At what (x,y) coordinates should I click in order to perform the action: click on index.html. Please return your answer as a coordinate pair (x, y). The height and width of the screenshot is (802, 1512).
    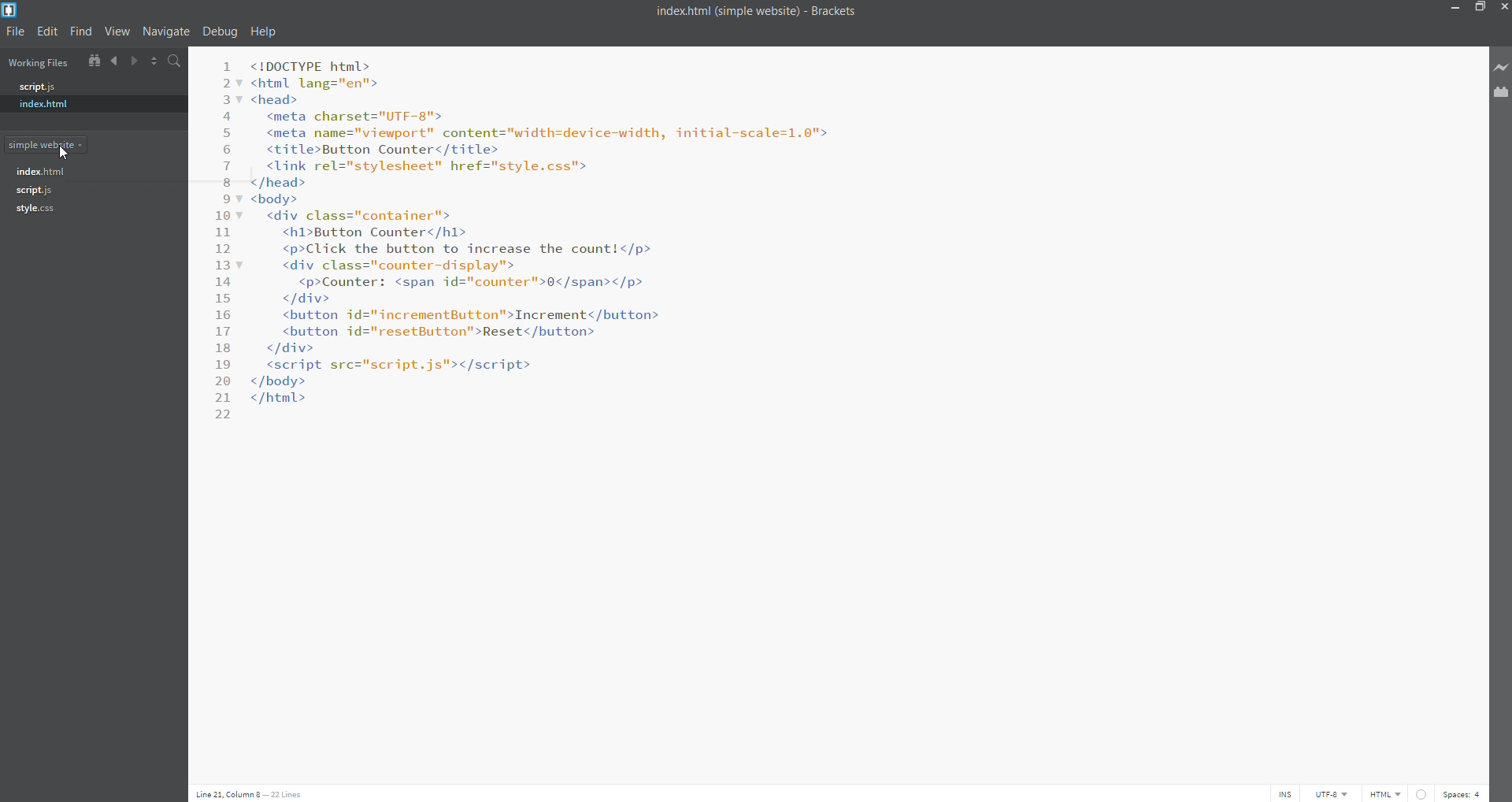
    Looking at the image, I should click on (83, 104).